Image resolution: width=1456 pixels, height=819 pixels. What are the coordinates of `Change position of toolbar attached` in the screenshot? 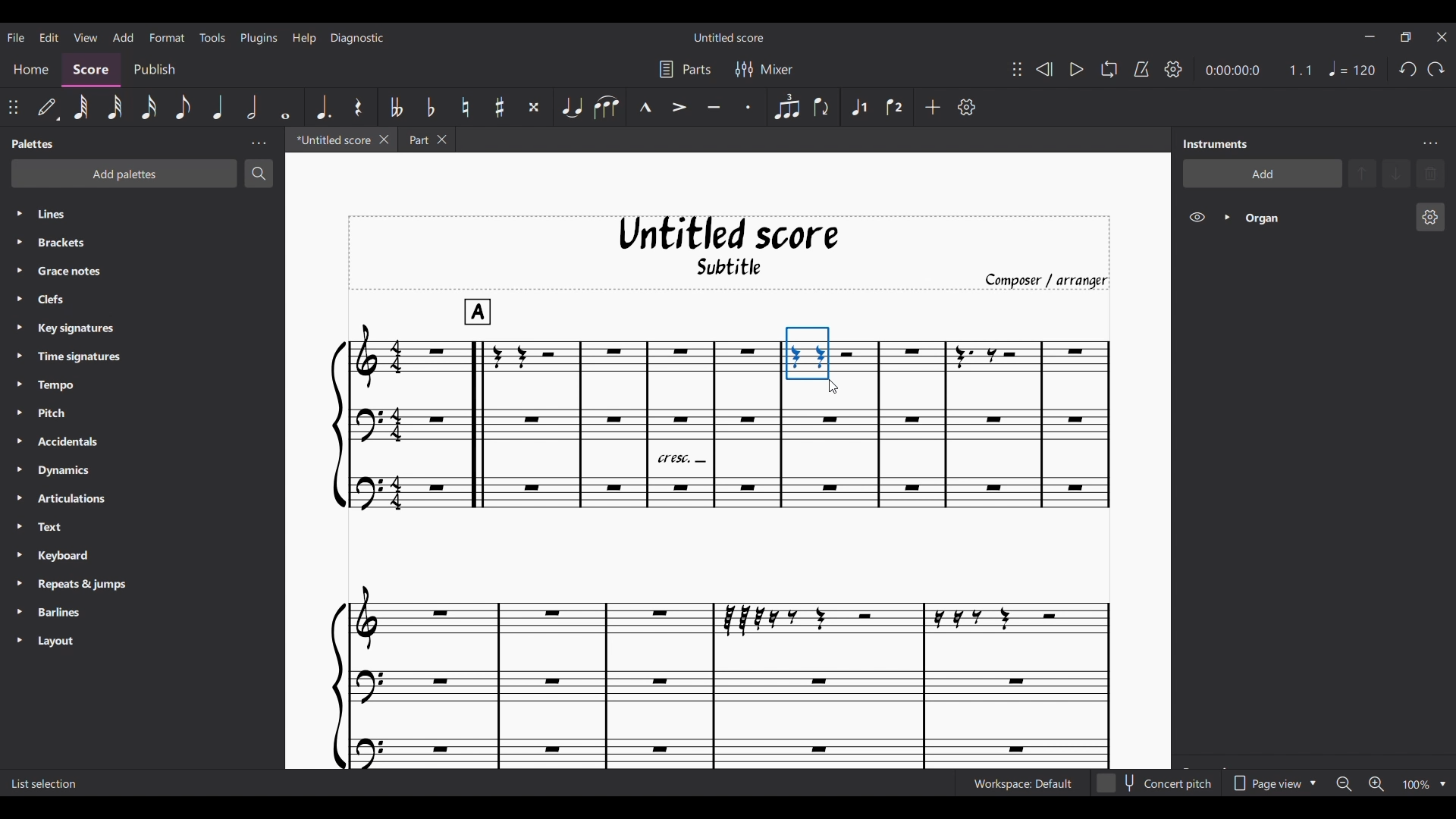 It's located at (1018, 69).